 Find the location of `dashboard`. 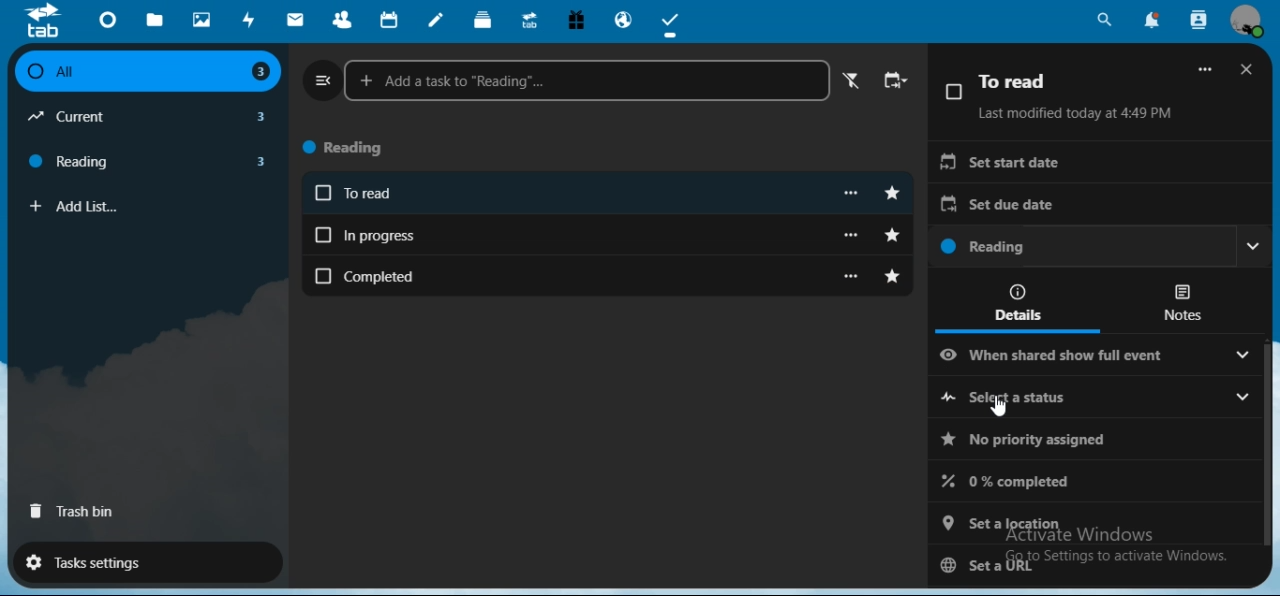

dashboard is located at coordinates (107, 19).